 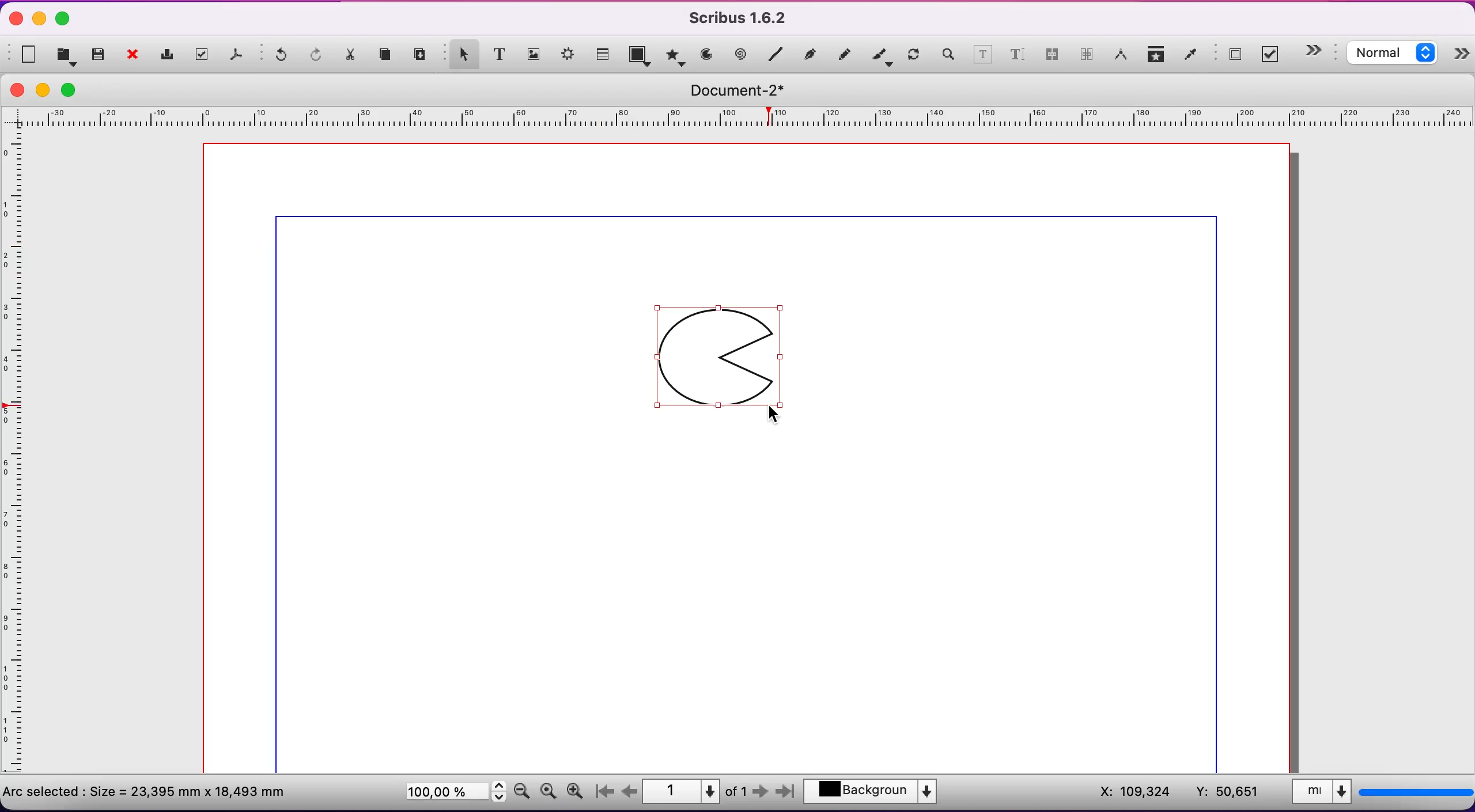 What do you see at coordinates (534, 52) in the screenshot?
I see `image frame` at bounding box center [534, 52].